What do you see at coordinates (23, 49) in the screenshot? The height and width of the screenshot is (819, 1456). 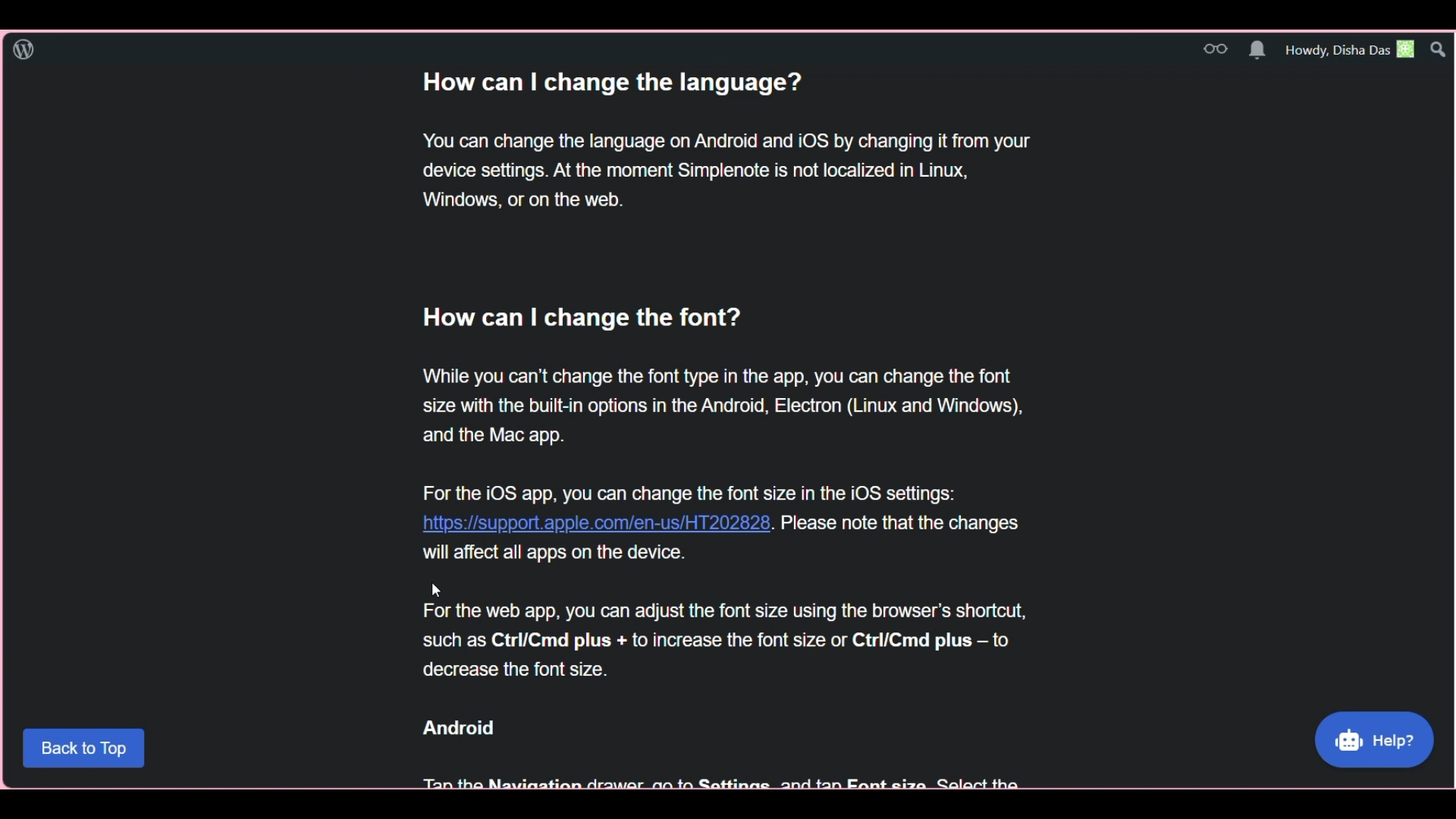 I see `Click to go to WordPress dashboard` at bounding box center [23, 49].